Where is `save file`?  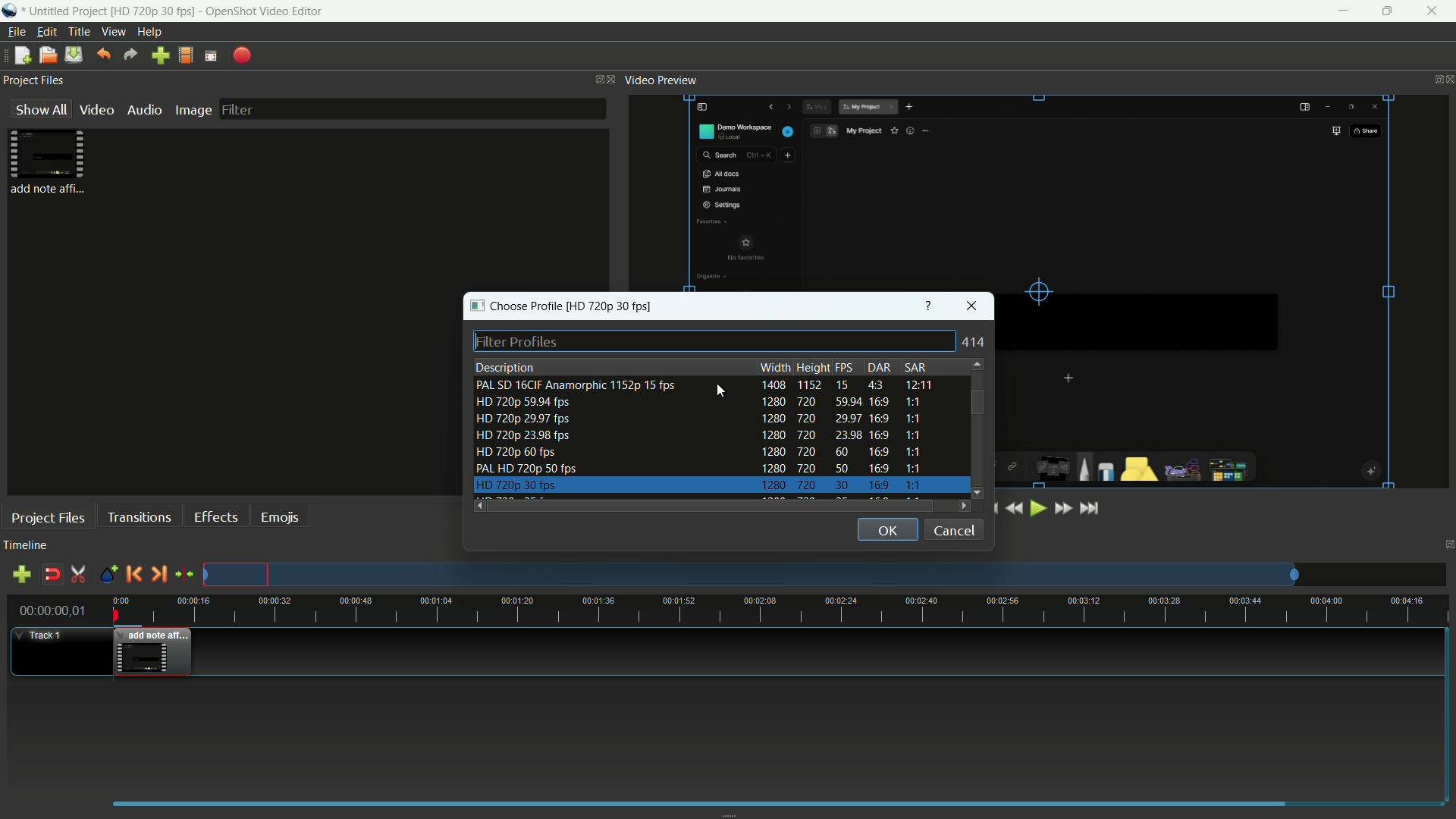 save file is located at coordinates (74, 55).